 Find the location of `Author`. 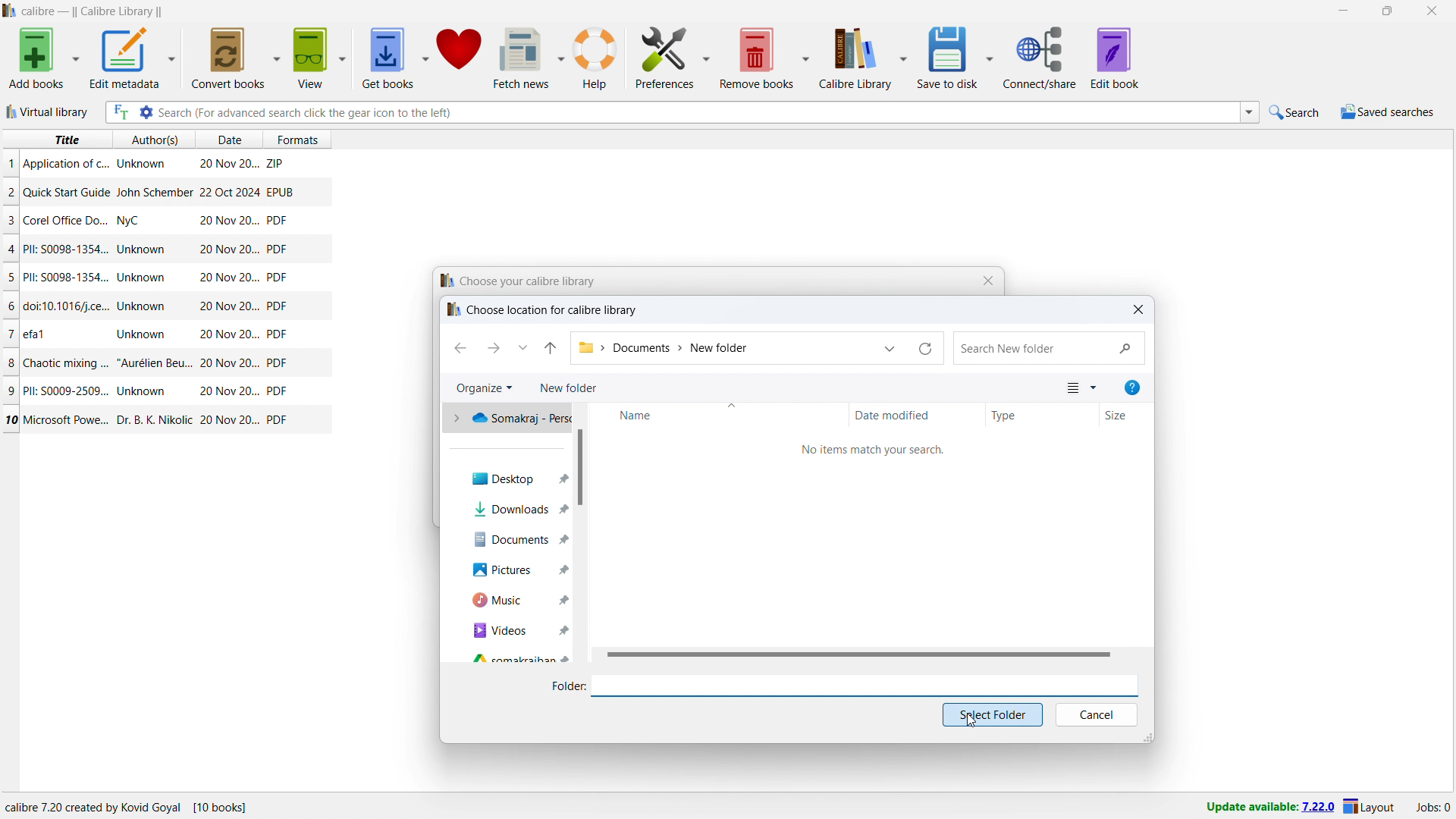

Author is located at coordinates (140, 165).